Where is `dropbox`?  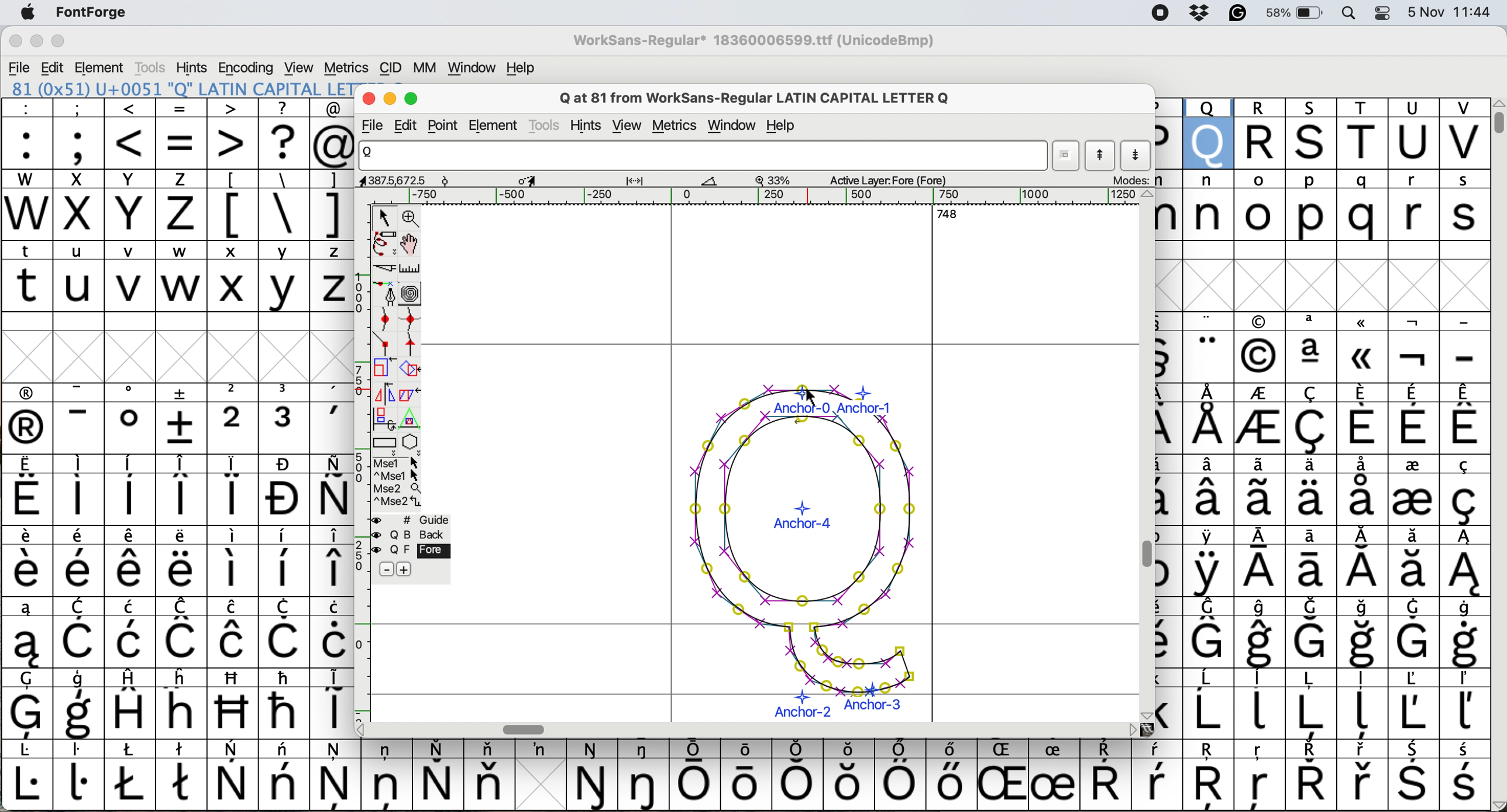 dropbox is located at coordinates (1201, 15).